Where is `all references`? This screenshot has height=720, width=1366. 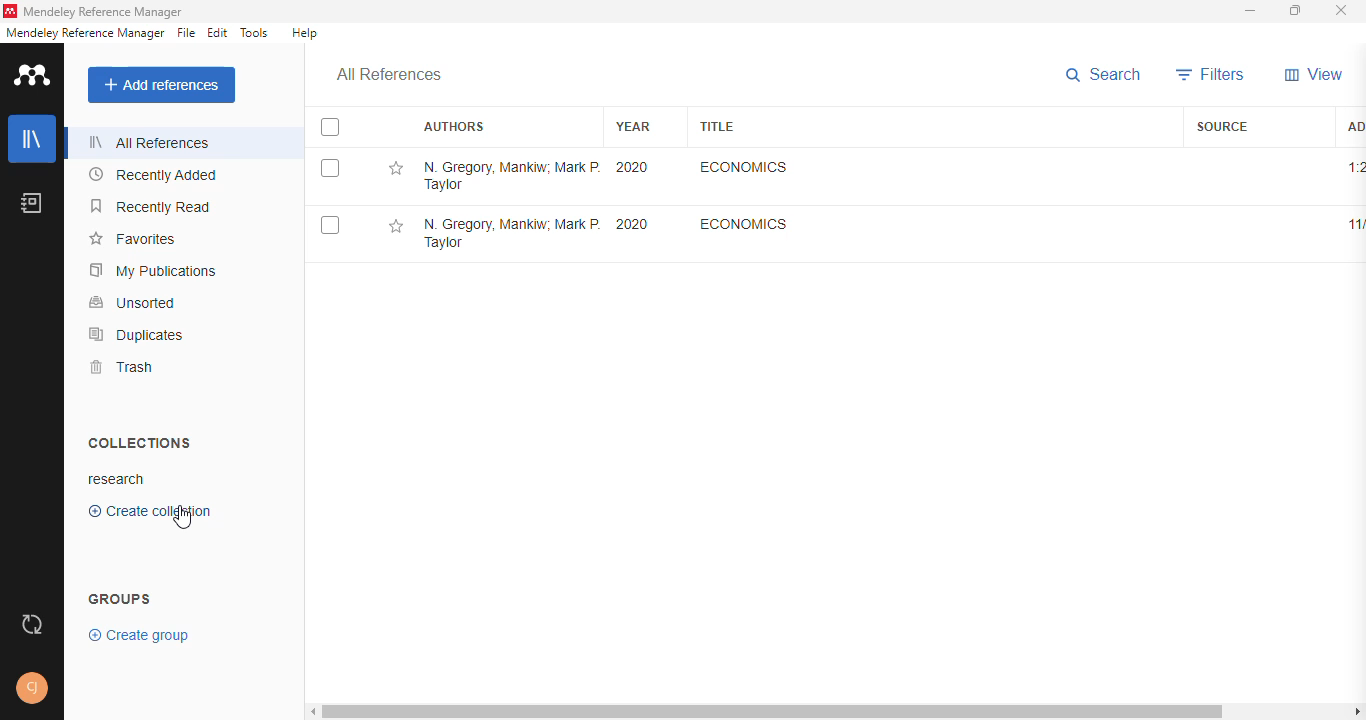
all references is located at coordinates (389, 75).